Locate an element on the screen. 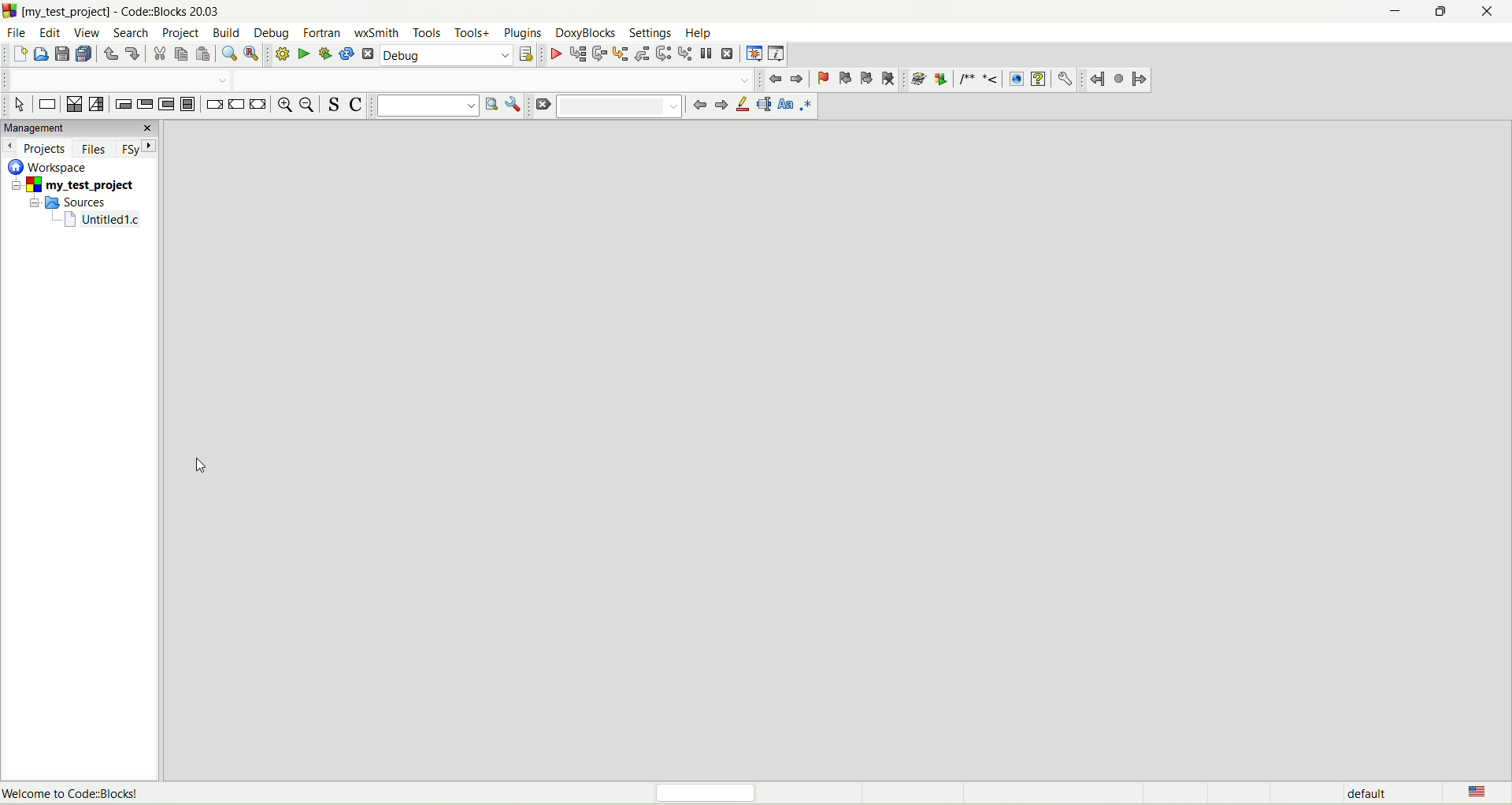 The image size is (1512, 805). break instruction is located at coordinates (213, 106).